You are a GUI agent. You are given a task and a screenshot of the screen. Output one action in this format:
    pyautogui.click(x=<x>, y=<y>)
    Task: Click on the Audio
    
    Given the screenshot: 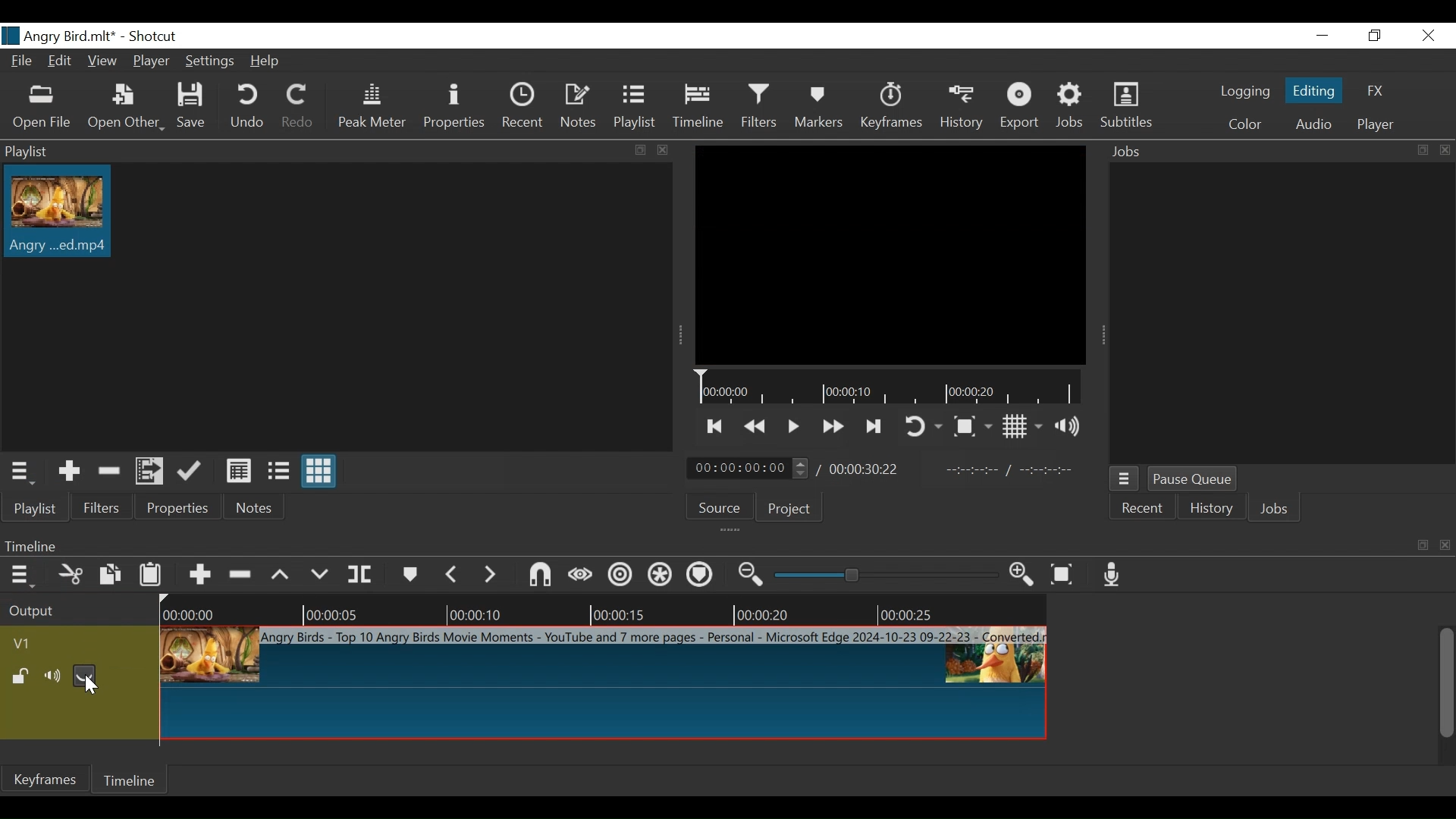 What is the action you would take?
    pyautogui.click(x=1312, y=124)
    